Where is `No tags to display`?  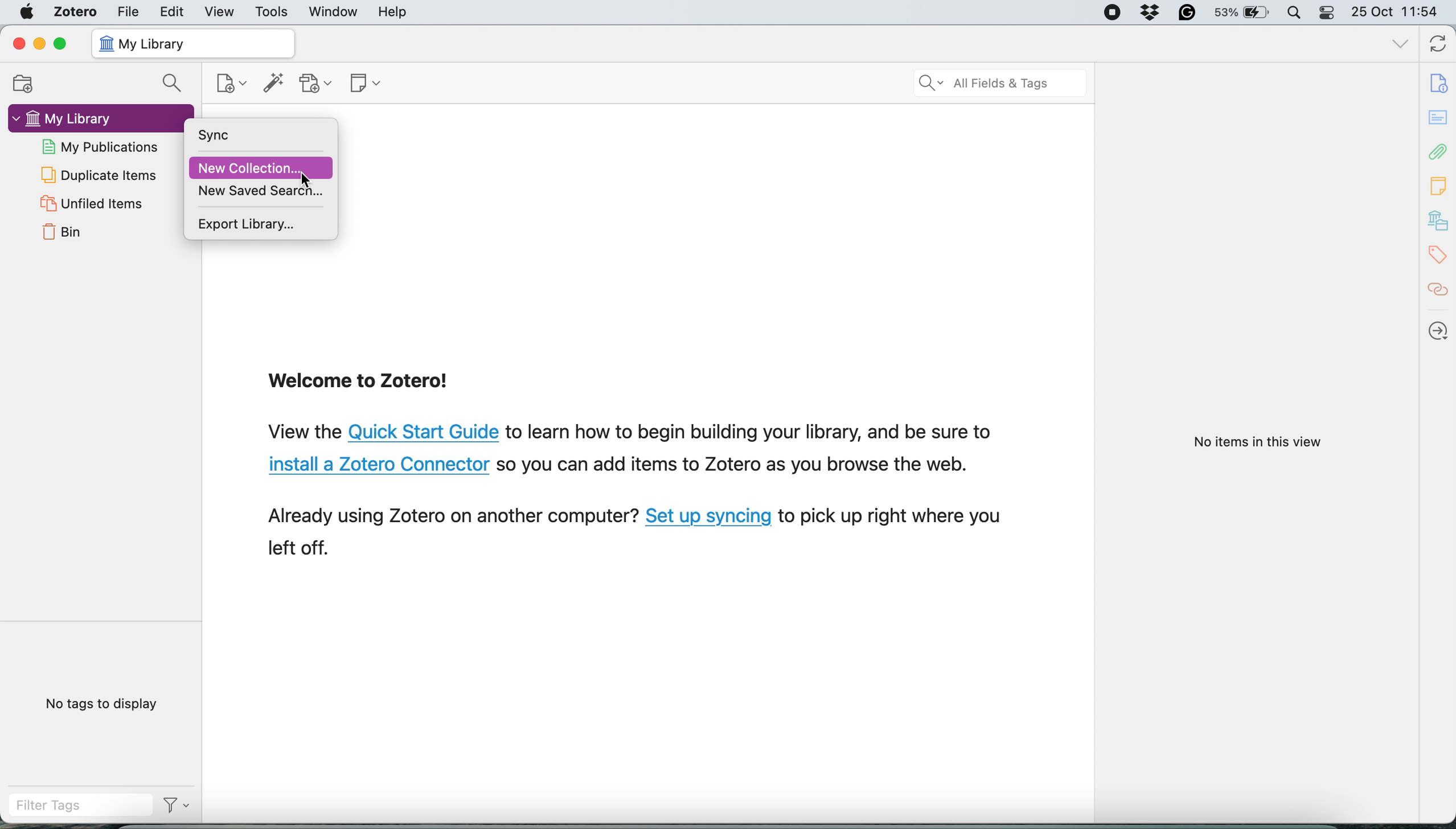 No tags to display is located at coordinates (105, 705).